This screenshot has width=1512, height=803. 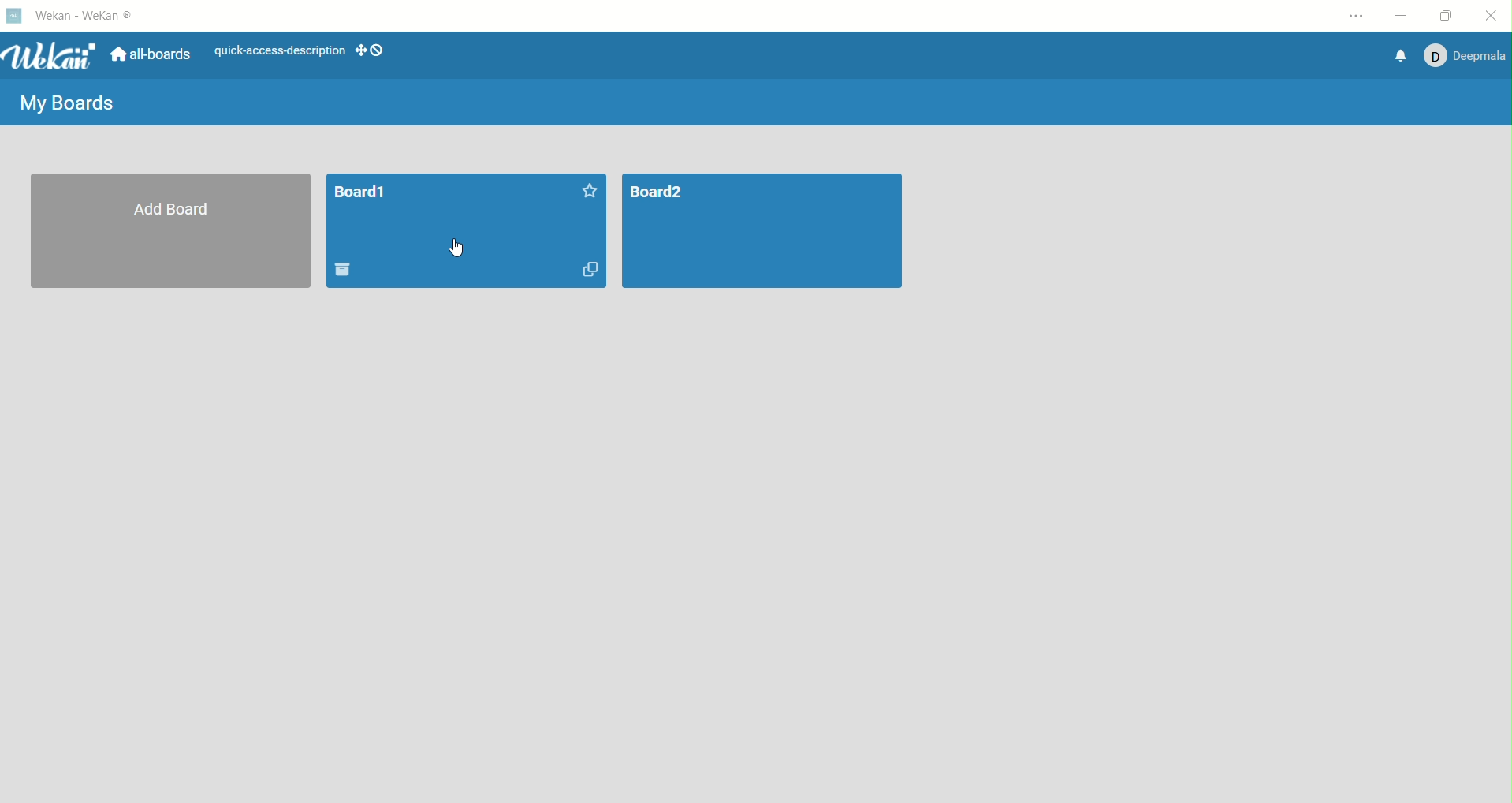 What do you see at coordinates (579, 192) in the screenshot?
I see `favorite` at bounding box center [579, 192].